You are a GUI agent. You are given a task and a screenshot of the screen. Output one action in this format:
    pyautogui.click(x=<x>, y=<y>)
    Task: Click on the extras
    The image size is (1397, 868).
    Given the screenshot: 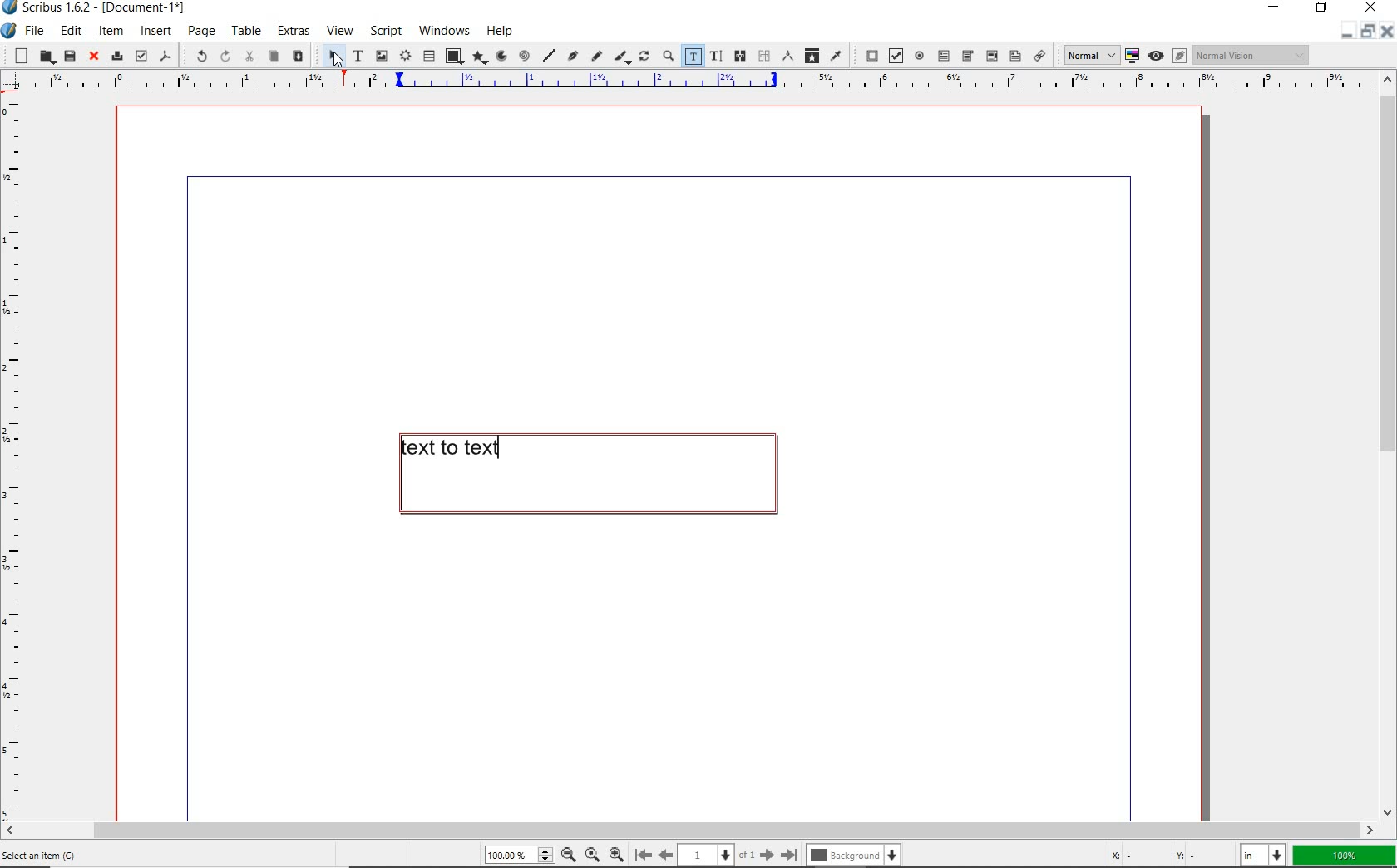 What is the action you would take?
    pyautogui.click(x=293, y=33)
    